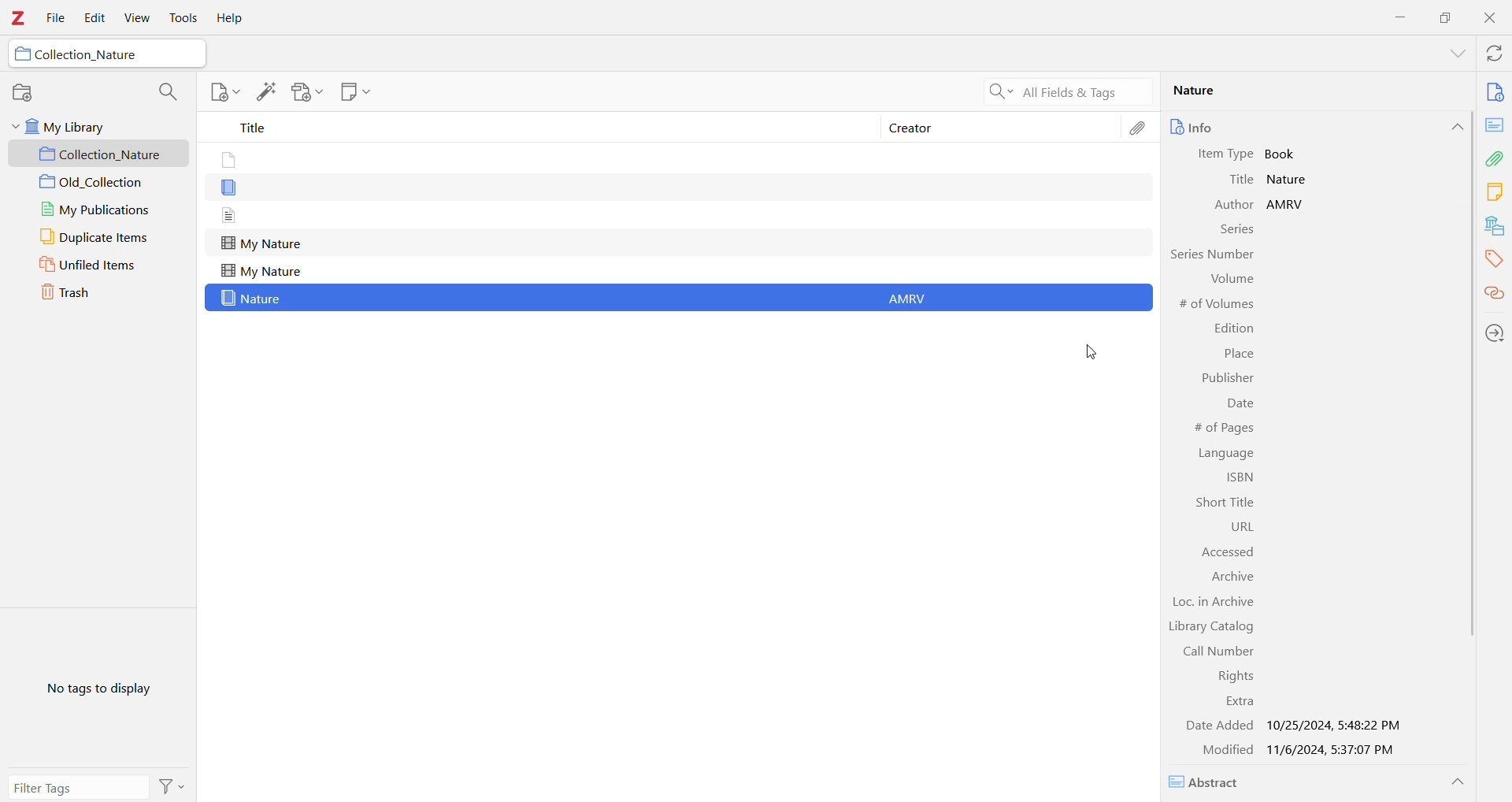 The image size is (1512, 802). Describe the element at coordinates (1291, 180) in the screenshot. I see `Nature` at that location.